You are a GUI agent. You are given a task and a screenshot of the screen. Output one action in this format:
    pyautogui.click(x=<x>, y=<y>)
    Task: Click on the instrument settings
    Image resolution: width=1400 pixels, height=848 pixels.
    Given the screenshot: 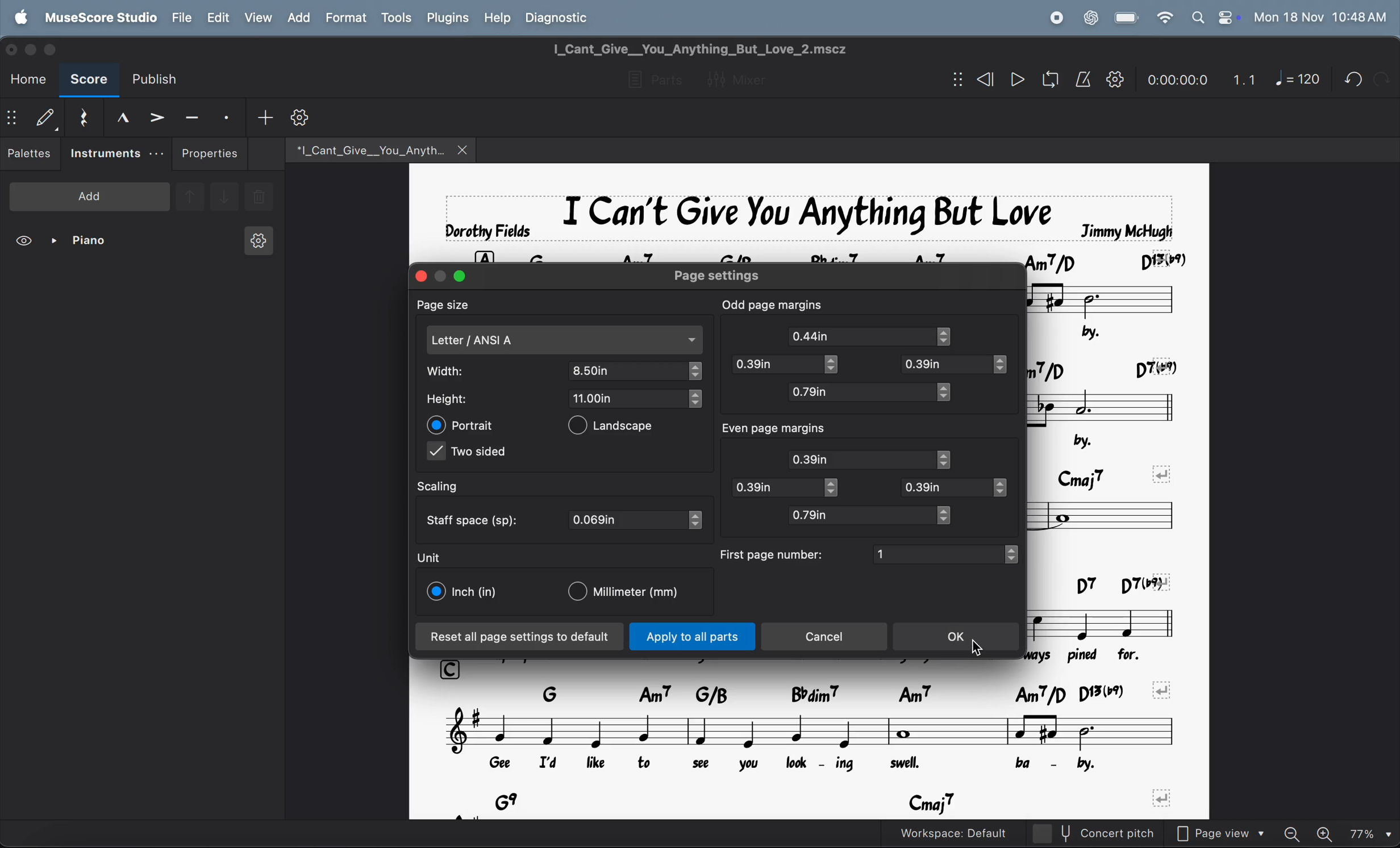 What is the action you would take?
    pyautogui.click(x=257, y=244)
    